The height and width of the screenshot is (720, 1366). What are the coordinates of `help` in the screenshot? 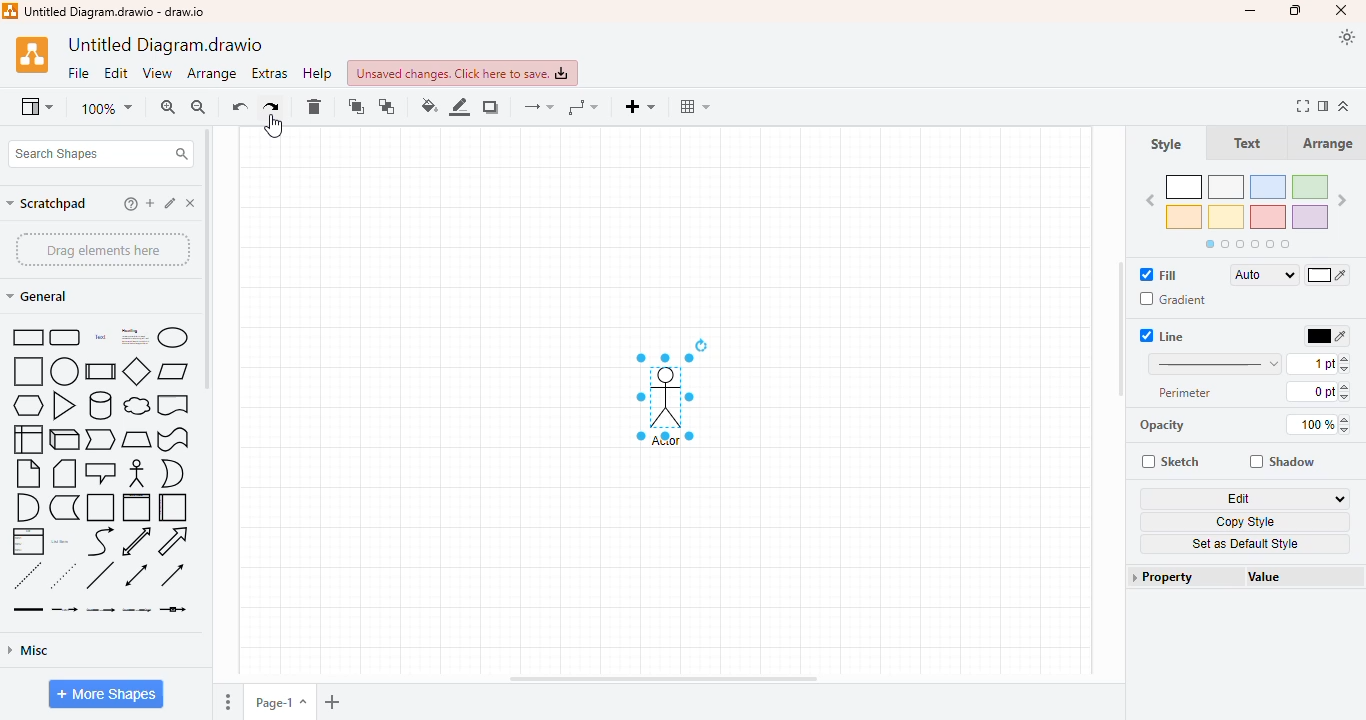 It's located at (317, 73).